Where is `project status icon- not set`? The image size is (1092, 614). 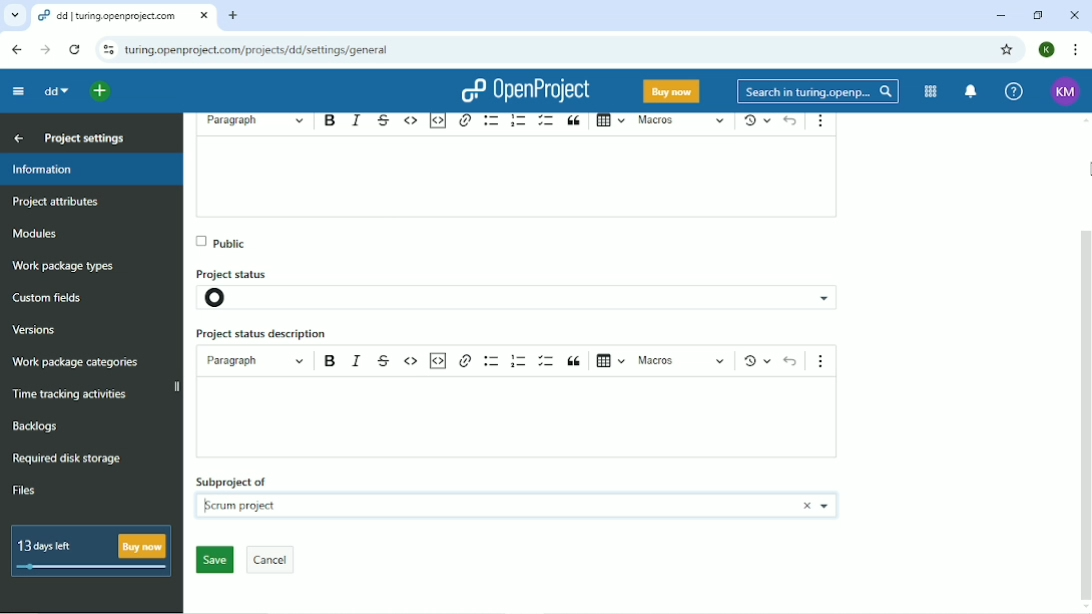
project status icon- not set is located at coordinates (232, 301).